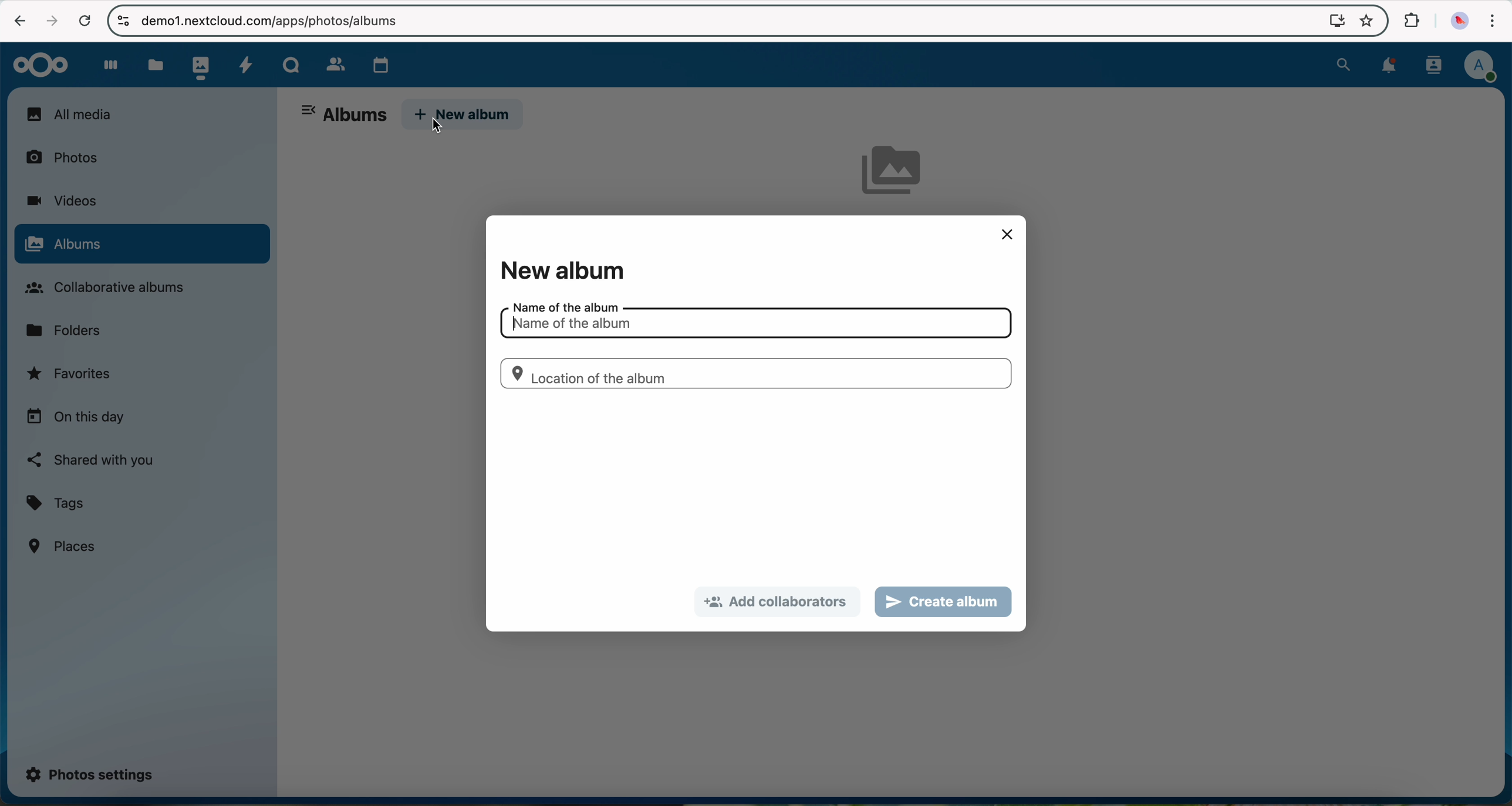  Describe the element at coordinates (438, 127) in the screenshot. I see `cursor` at that location.